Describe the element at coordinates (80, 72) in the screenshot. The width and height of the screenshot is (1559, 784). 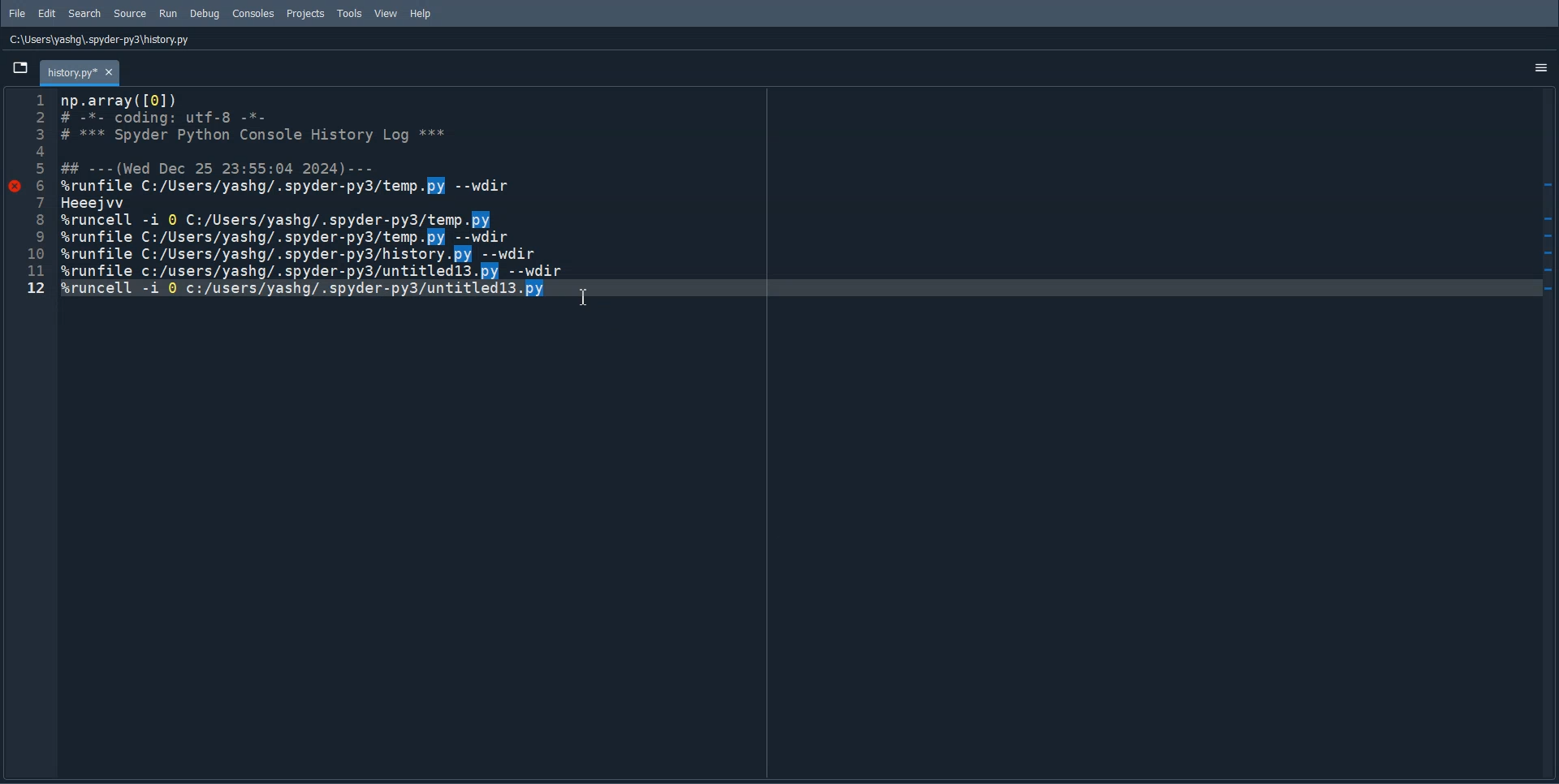
I see `Folder : history.py* x` at that location.